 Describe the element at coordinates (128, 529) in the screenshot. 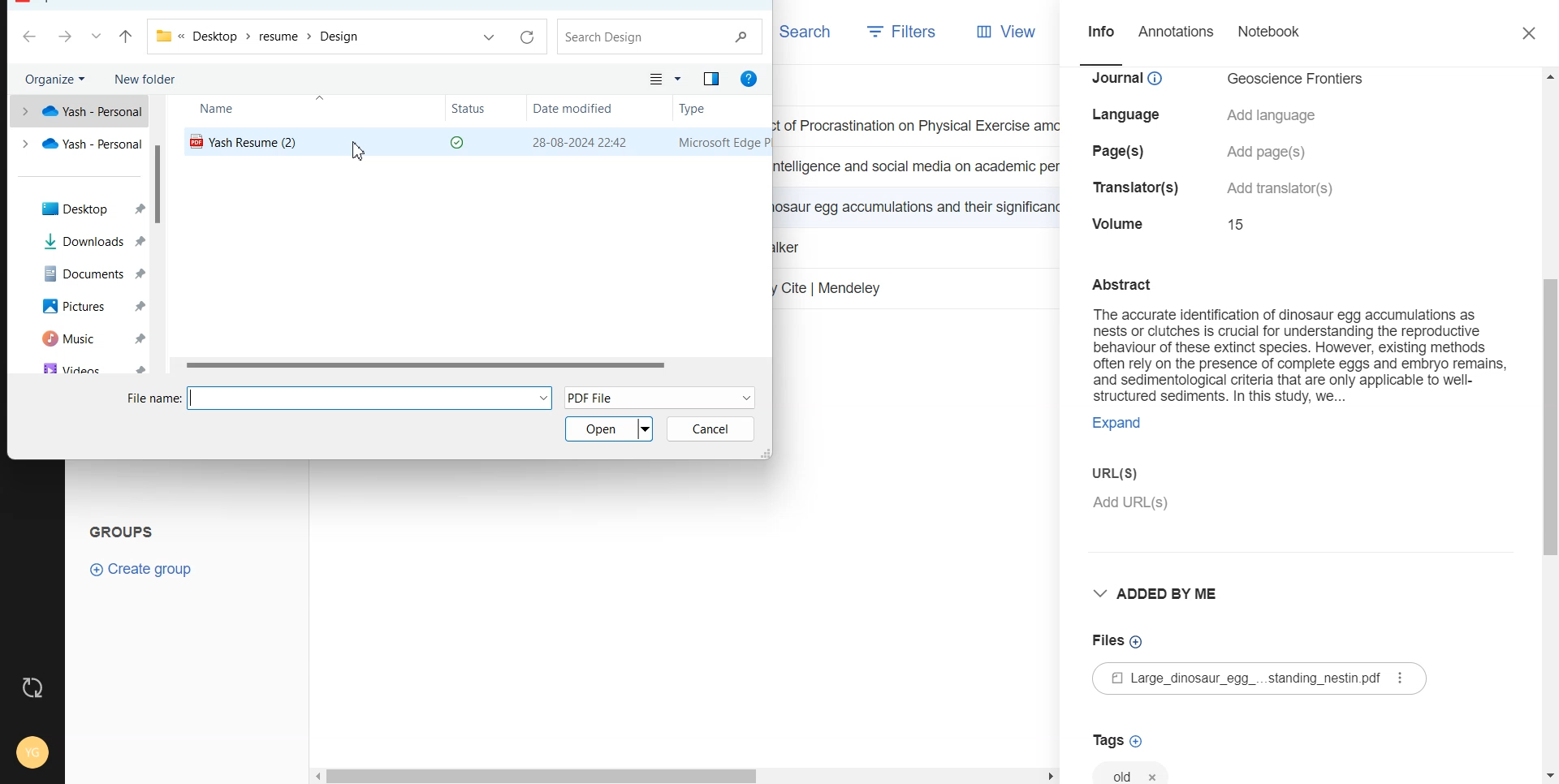

I see `Text` at that location.